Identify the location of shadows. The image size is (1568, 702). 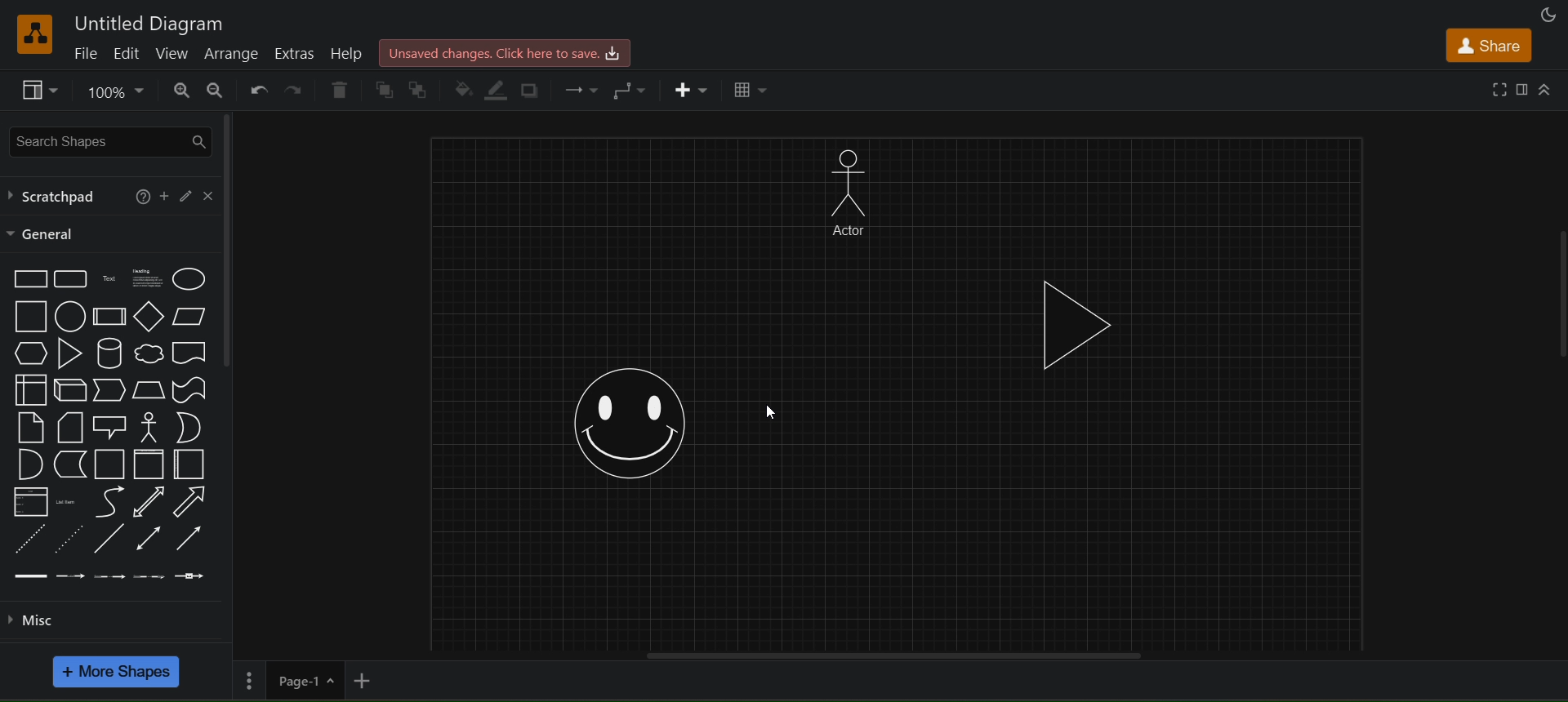
(531, 87).